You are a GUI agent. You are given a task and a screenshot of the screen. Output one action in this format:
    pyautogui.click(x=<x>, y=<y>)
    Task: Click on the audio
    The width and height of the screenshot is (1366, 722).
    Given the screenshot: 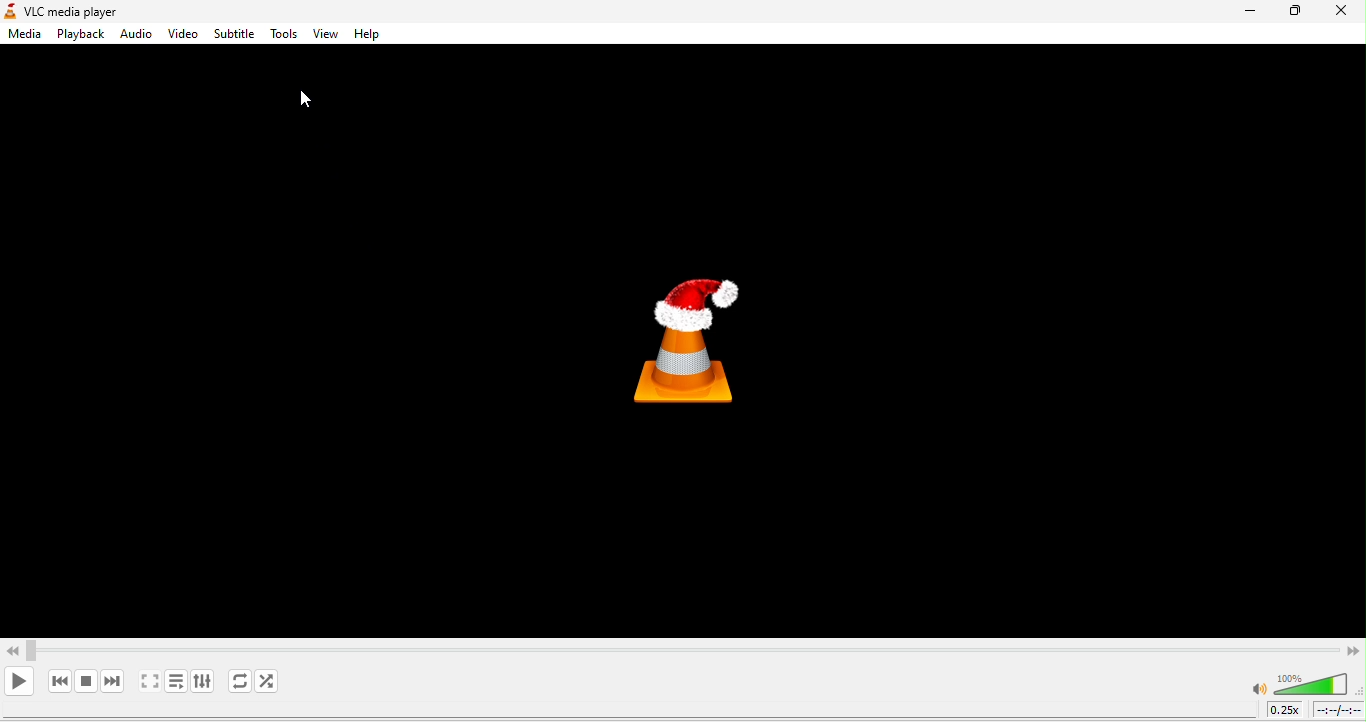 What is the action you would take?
    pyautogui.click(x=137, y=34)
    